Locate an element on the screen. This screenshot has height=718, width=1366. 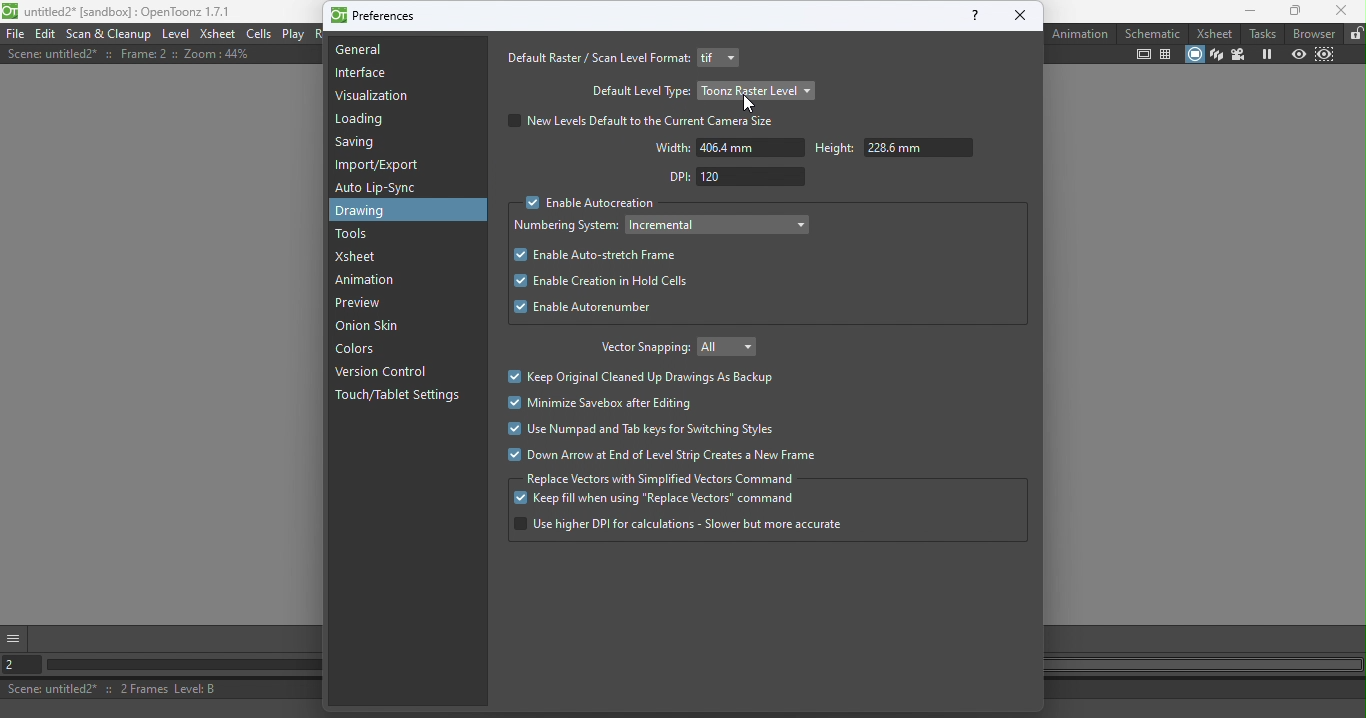
Width is located at coordinates (728, 148).